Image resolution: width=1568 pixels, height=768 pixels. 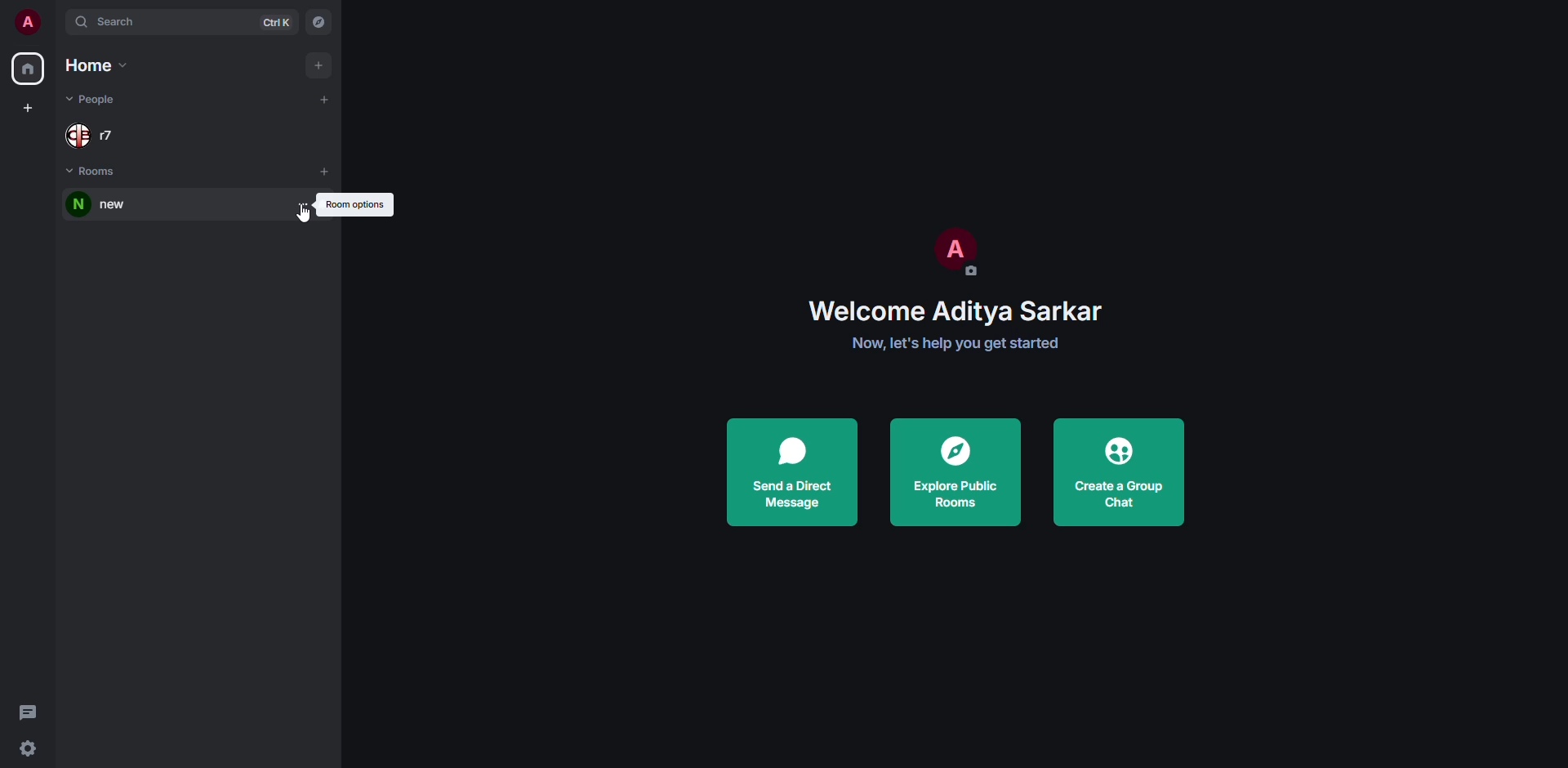 I want to click on people, so click(x=91, y=100).